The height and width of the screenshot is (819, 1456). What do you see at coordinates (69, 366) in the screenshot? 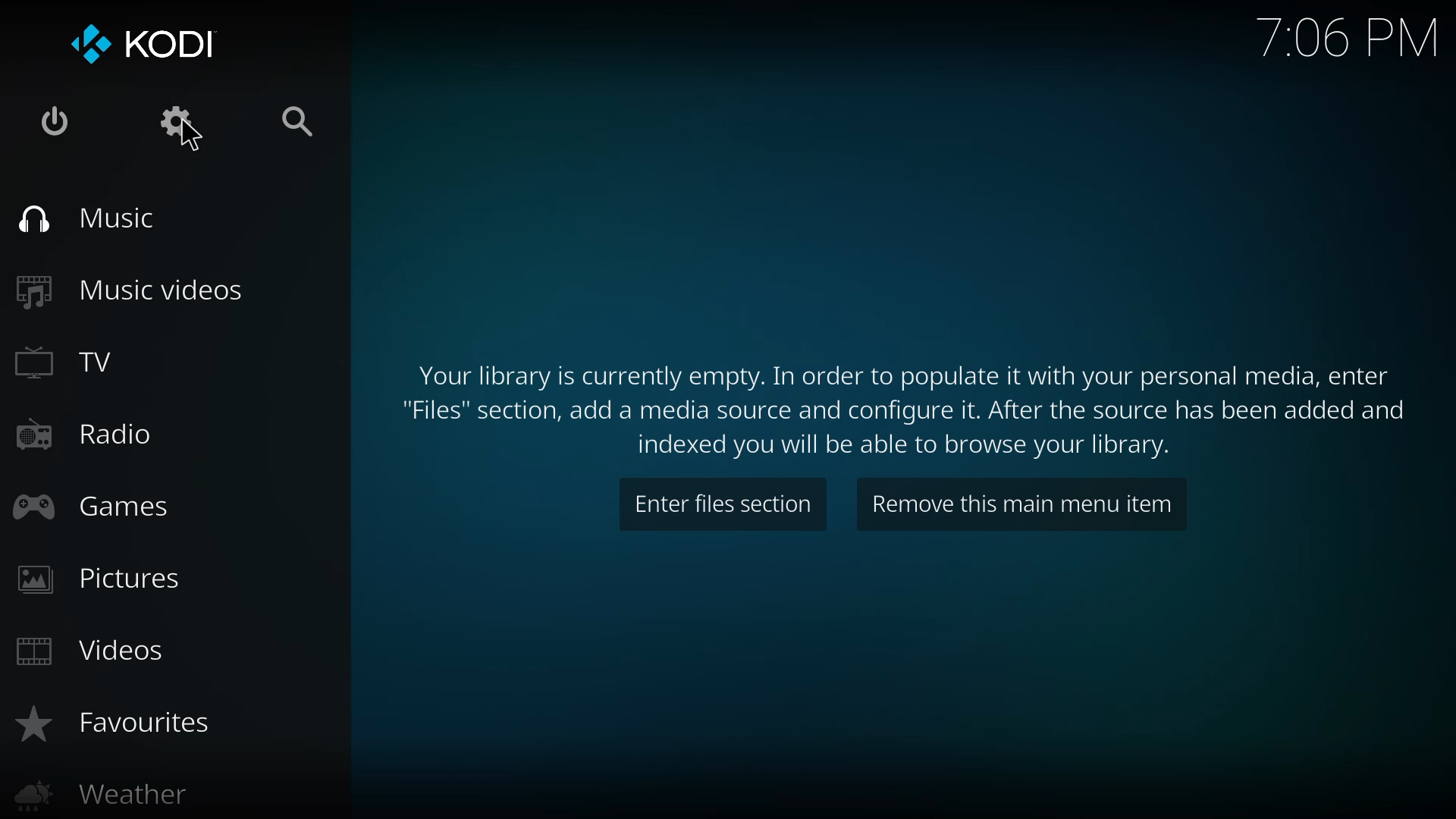
I see `tv` at bounding box center [69, 366].